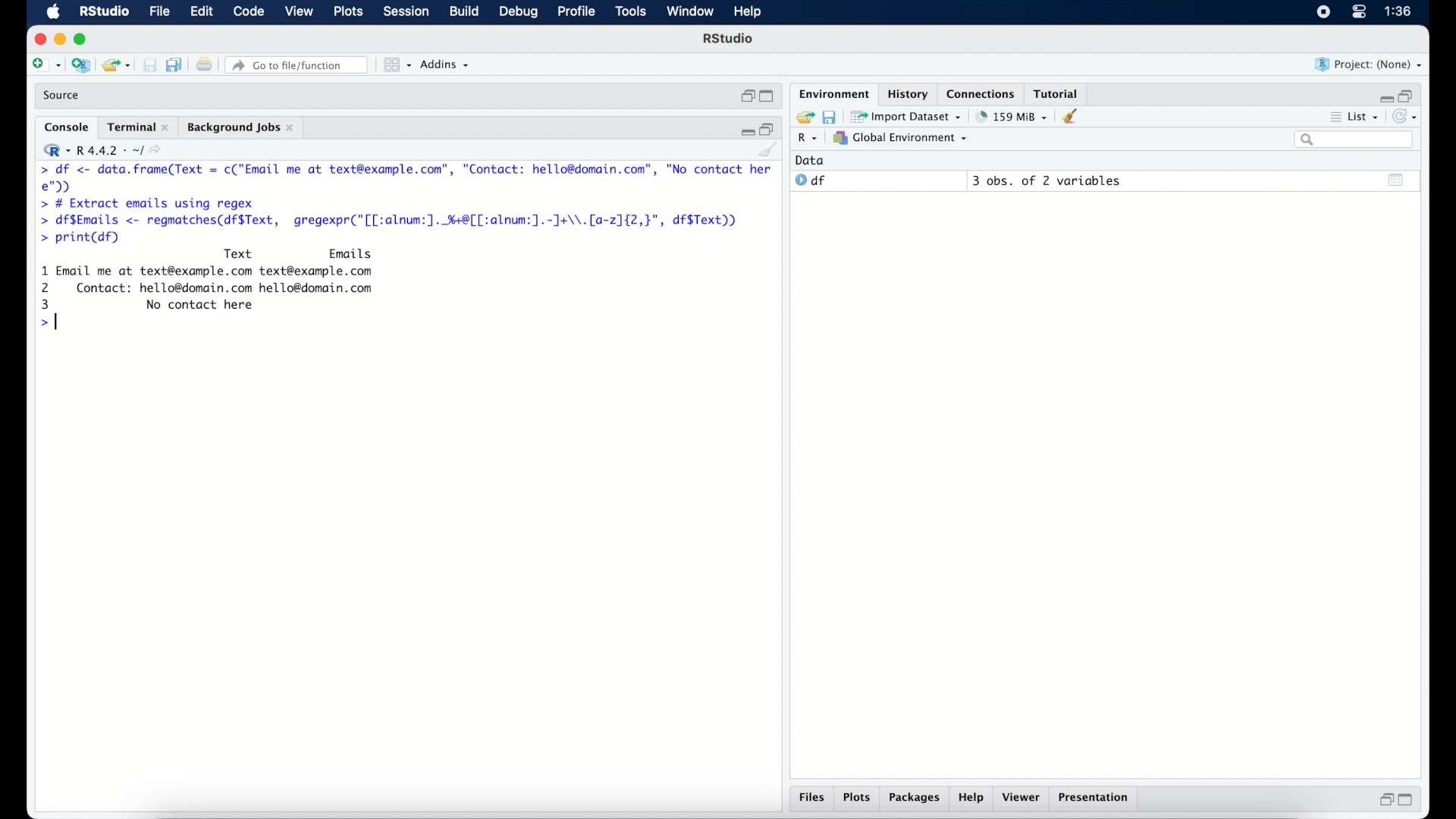 The image size is (1456, 819). I want to click on import dataset, so click(908, 117).